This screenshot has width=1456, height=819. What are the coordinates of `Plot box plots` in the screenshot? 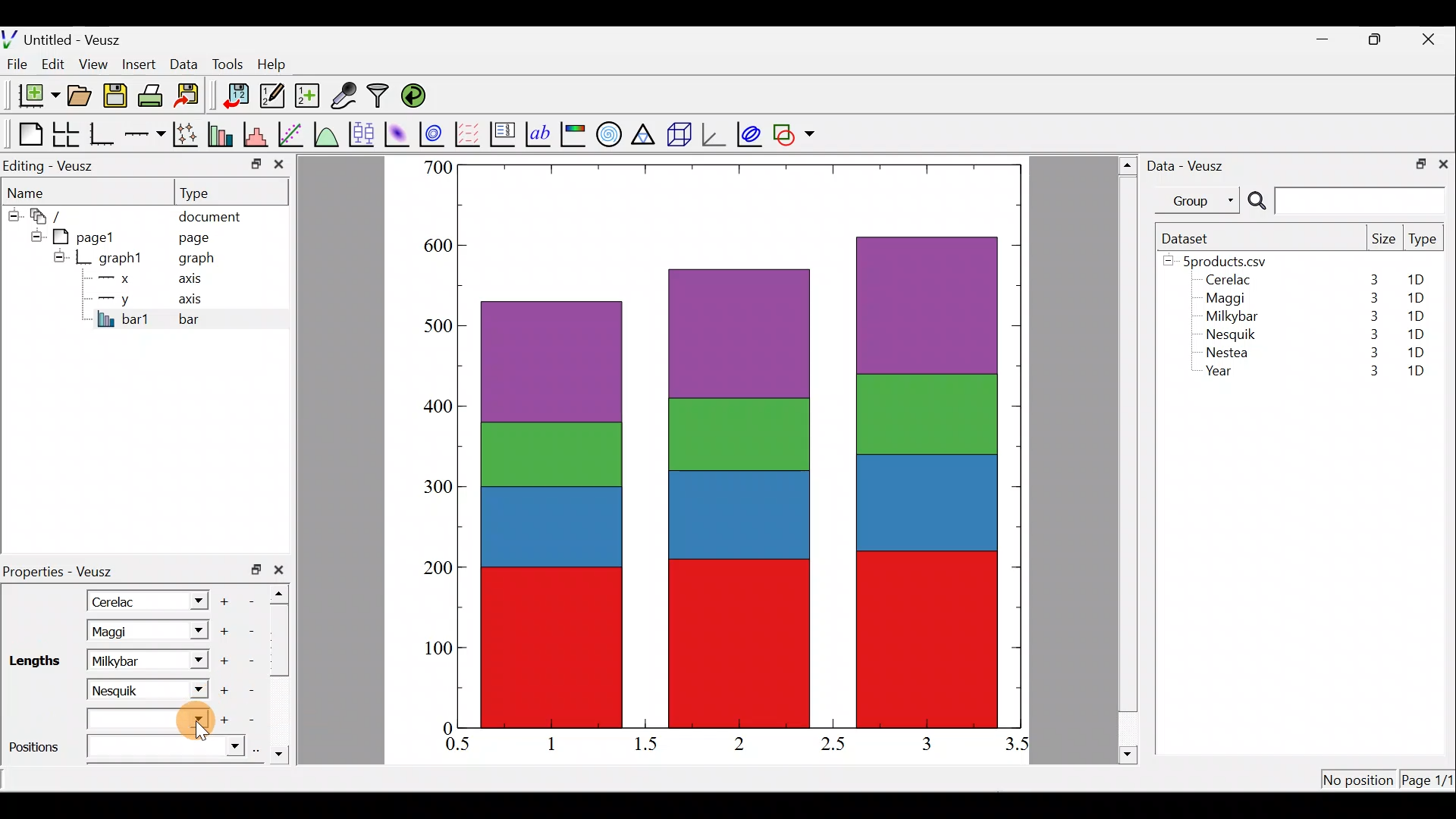 It's located at (363, 133).